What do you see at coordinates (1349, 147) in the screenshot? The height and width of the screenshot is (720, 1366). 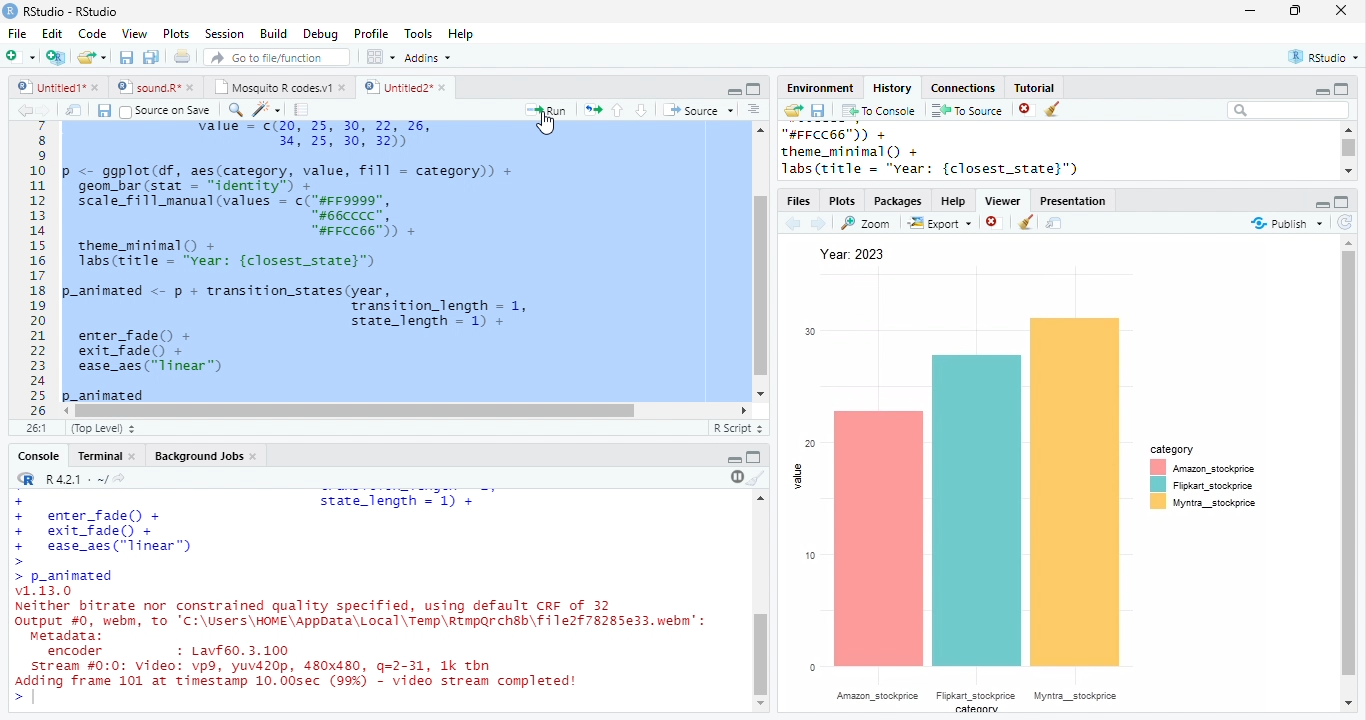 I see `scroll bar` at bounding box center [1349, 147].